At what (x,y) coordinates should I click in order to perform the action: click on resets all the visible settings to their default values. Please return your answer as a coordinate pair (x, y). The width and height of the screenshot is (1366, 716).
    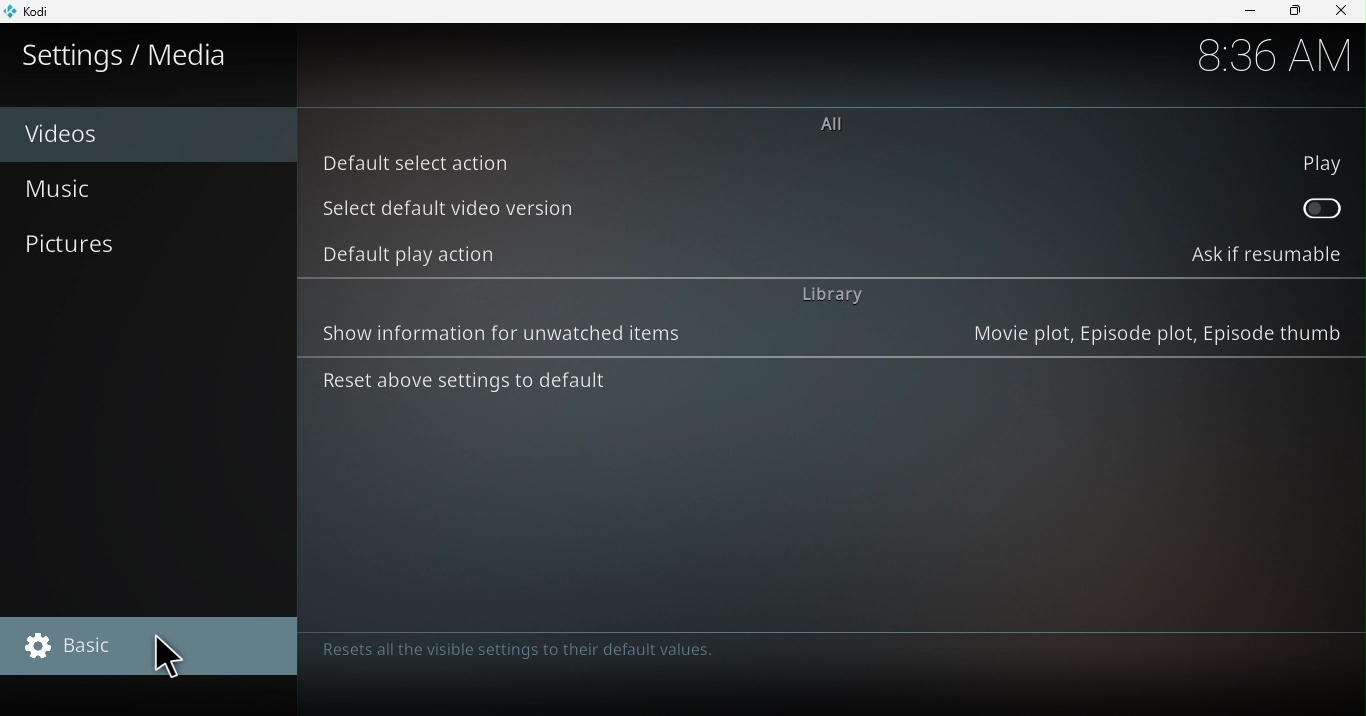
    Looking at the image, I should click on (524, 652).